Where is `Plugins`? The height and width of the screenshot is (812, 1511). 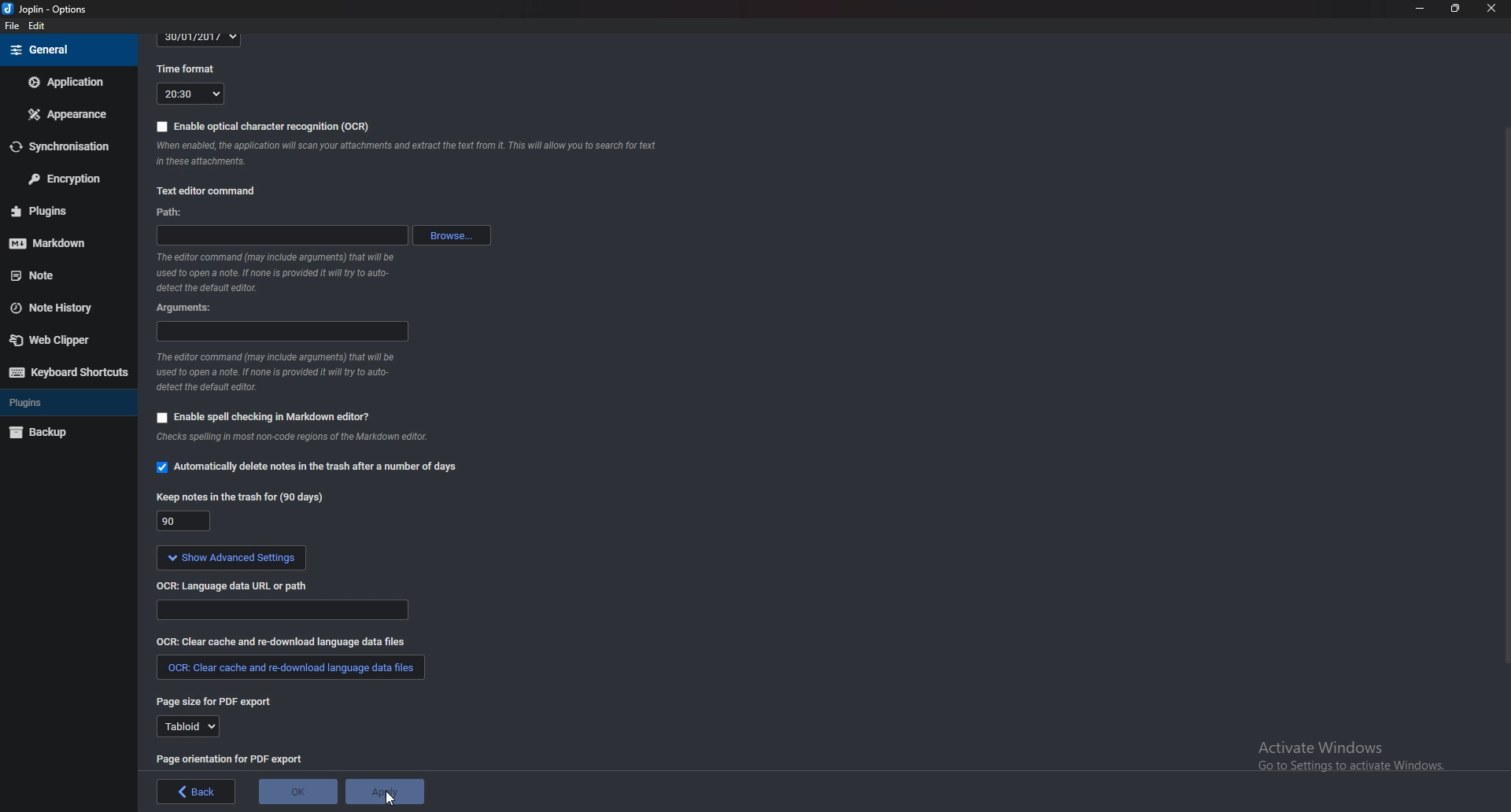 Plugins is located at coordinates (61, 210).